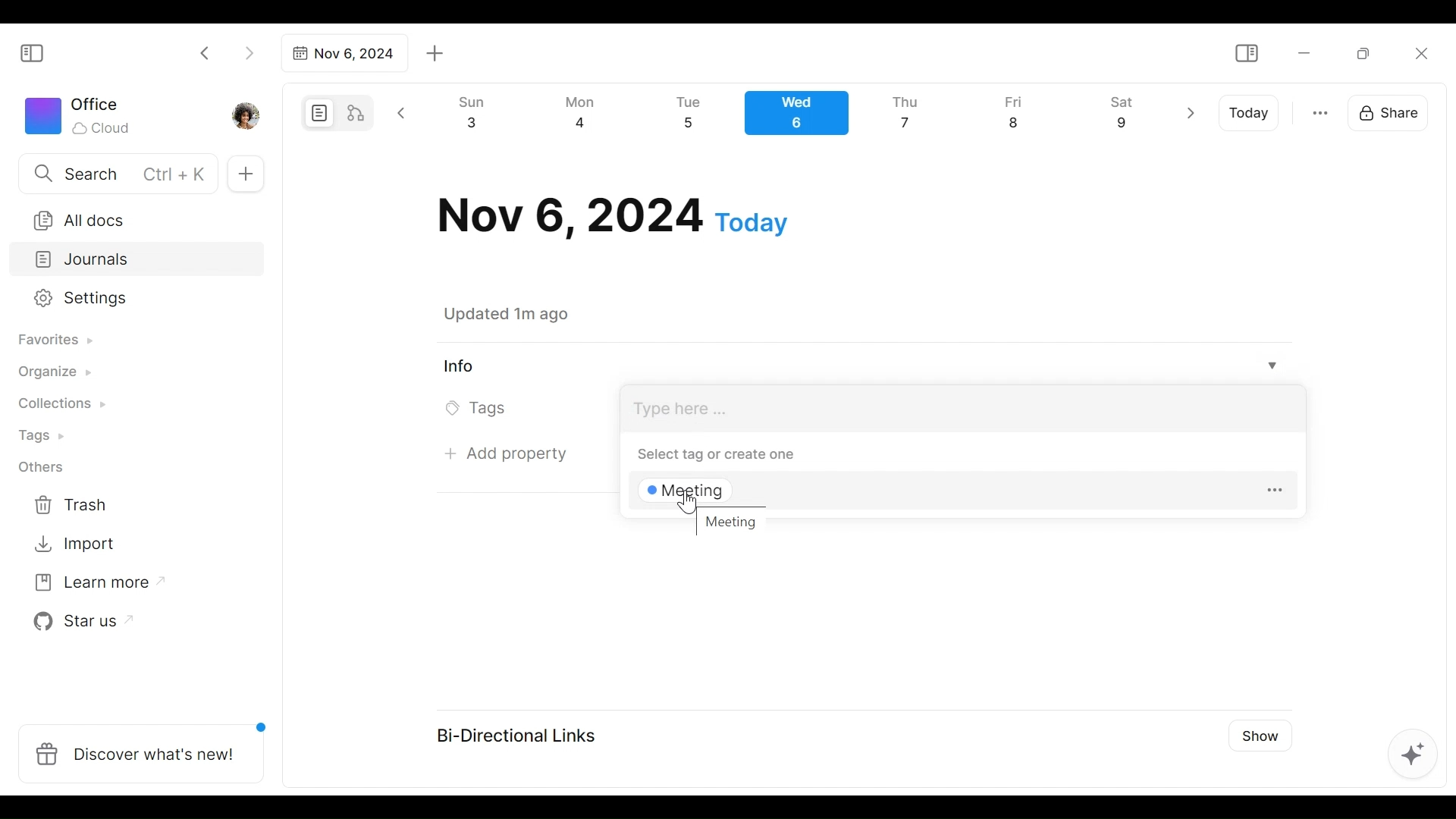 The image size is (1456, 819). What do you see at coordinates (60, 406) in the screenshot?
I see `Collections` at bounding box center [60, 406].